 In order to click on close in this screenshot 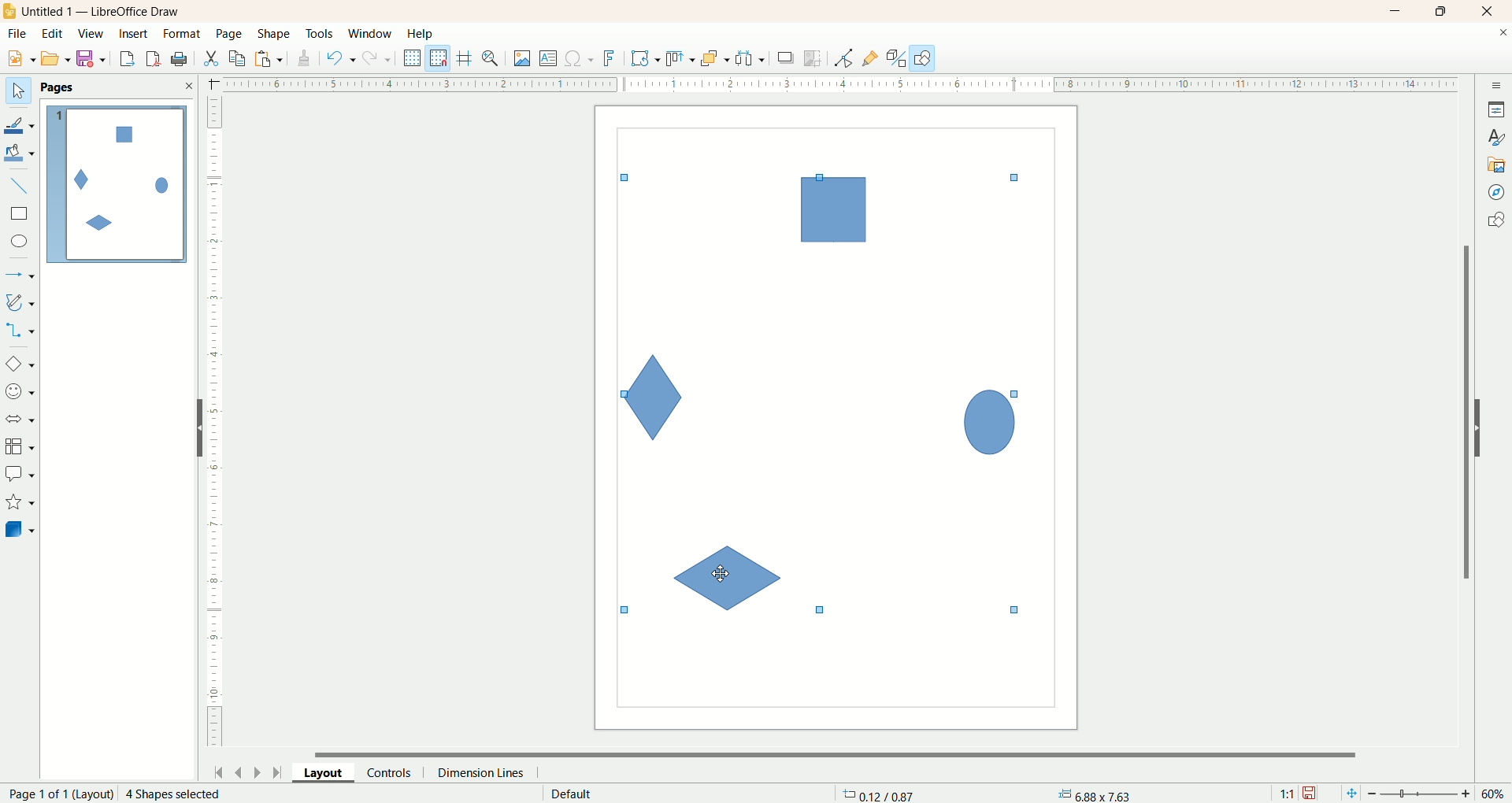, I will do `click(188, 86)`.